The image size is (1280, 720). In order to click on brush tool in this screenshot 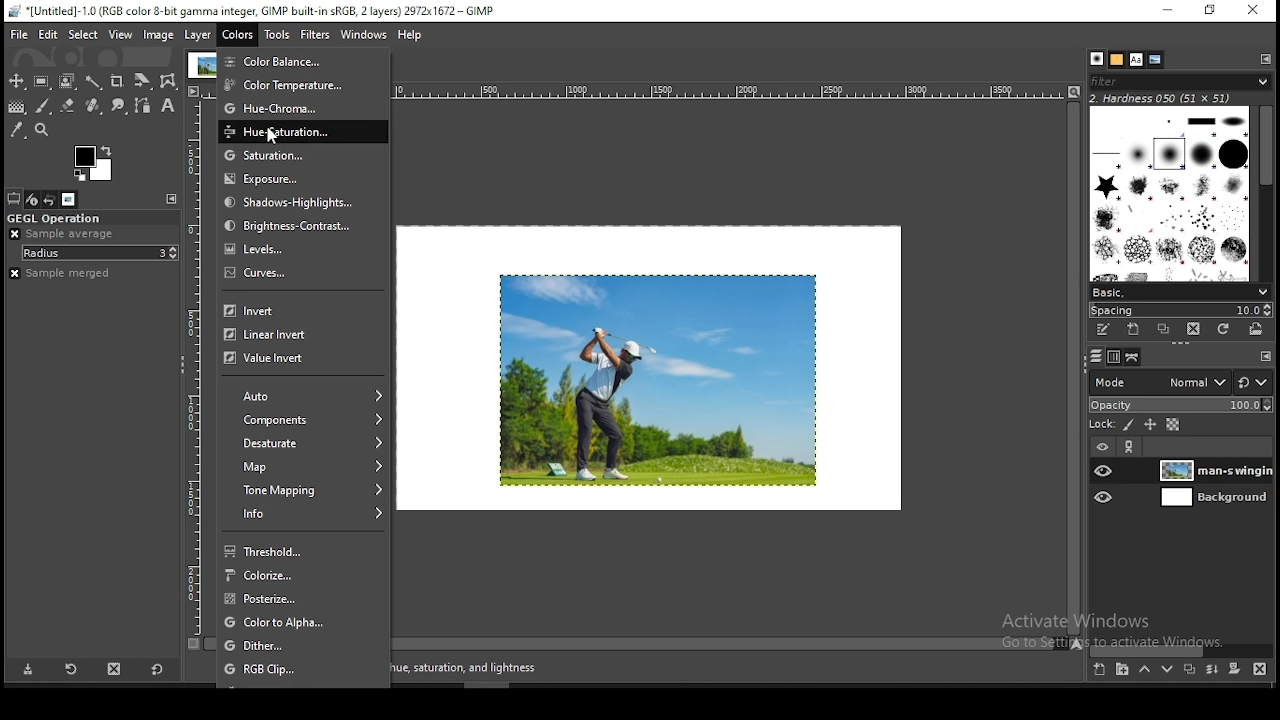, I will do `click(47, 107)`.